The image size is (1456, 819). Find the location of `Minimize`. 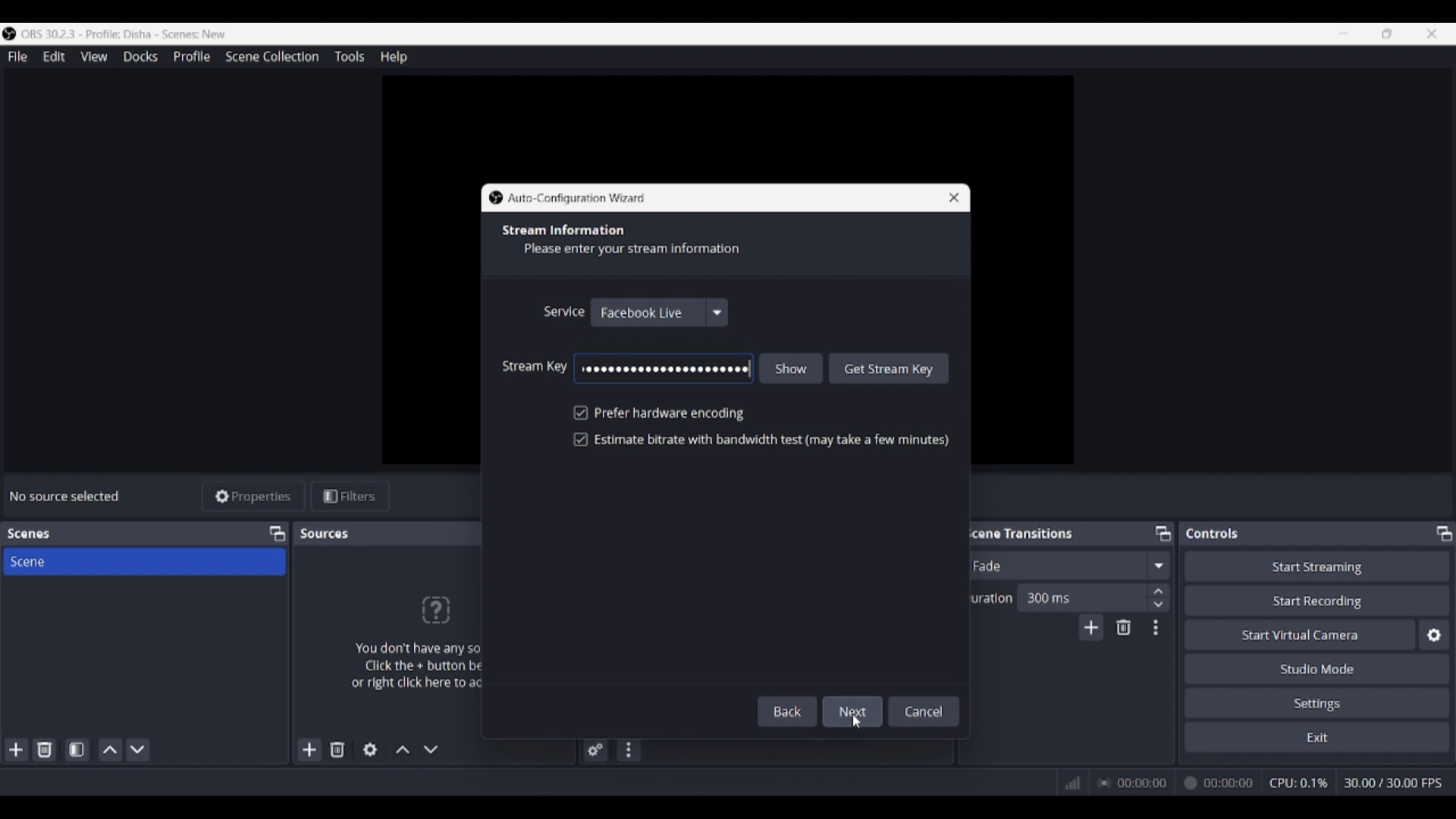

Minimize is located at coordinates (1343, 33).